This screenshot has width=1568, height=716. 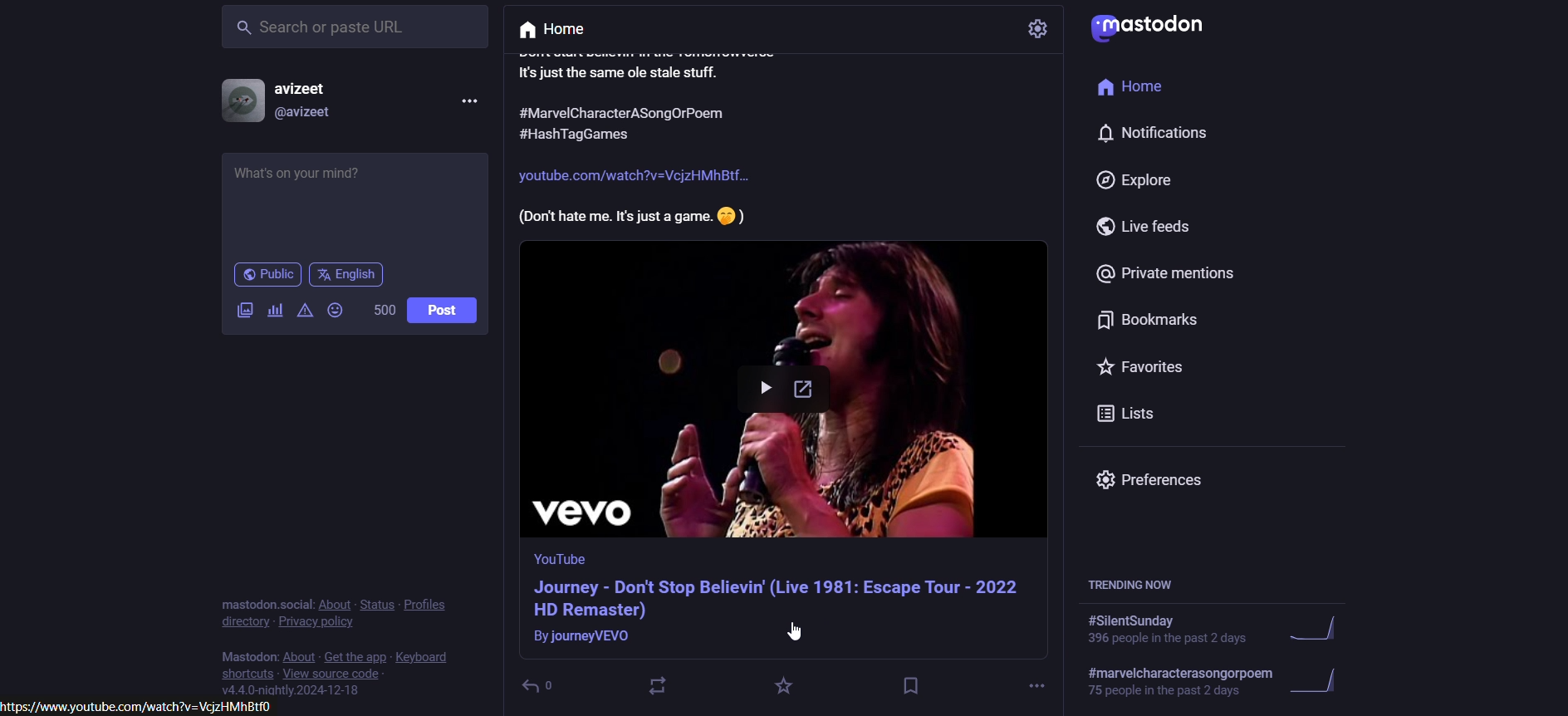 I want to click on setting, so click(x=1038, y=29).